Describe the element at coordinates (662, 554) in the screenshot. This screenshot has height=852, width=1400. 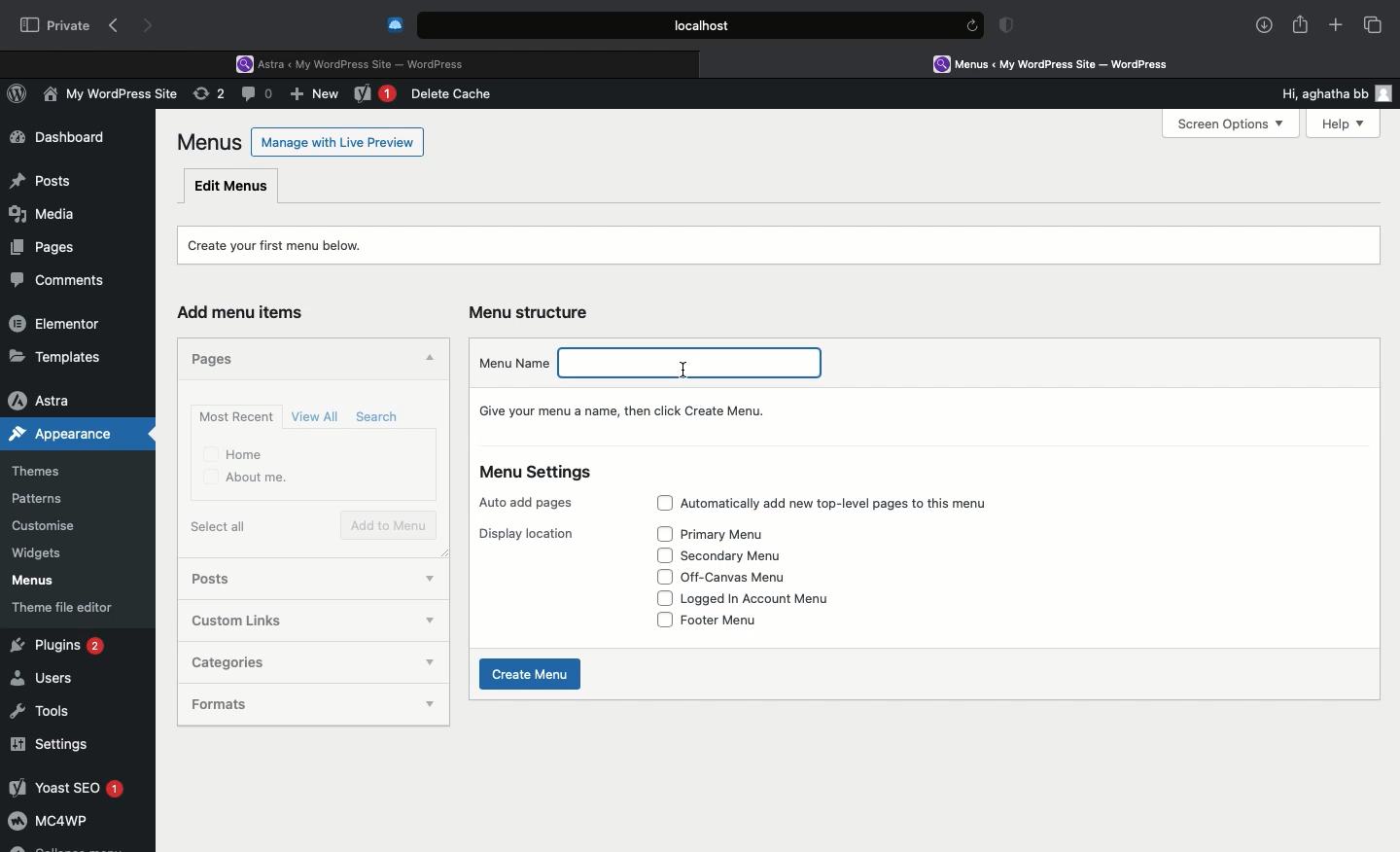
I see `Check box` at that location.